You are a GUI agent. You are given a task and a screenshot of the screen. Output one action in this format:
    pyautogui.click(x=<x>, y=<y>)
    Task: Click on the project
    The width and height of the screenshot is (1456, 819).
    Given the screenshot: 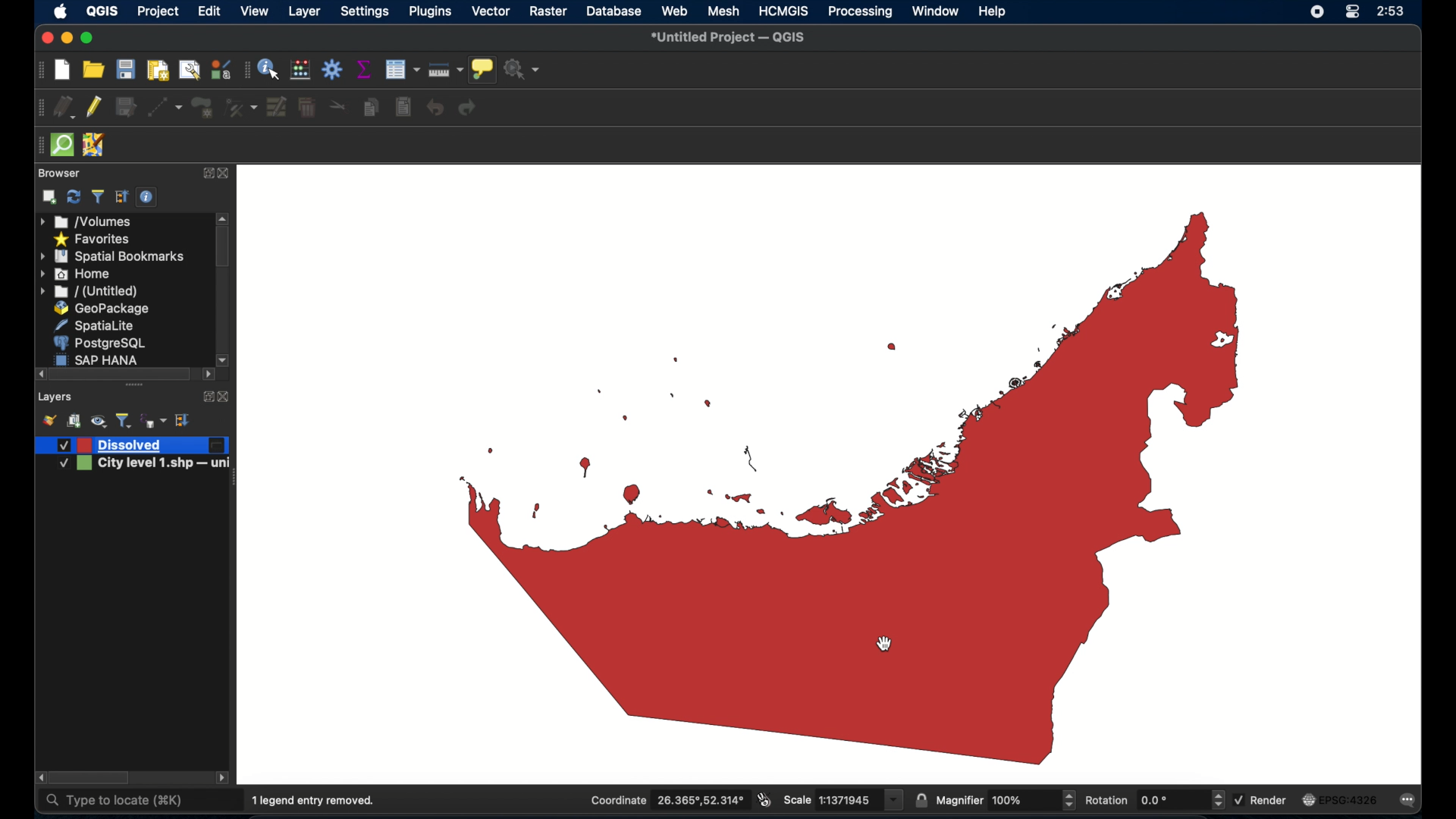 What is the action you would take?
    pyautogui.click(x=158, y=12)
    